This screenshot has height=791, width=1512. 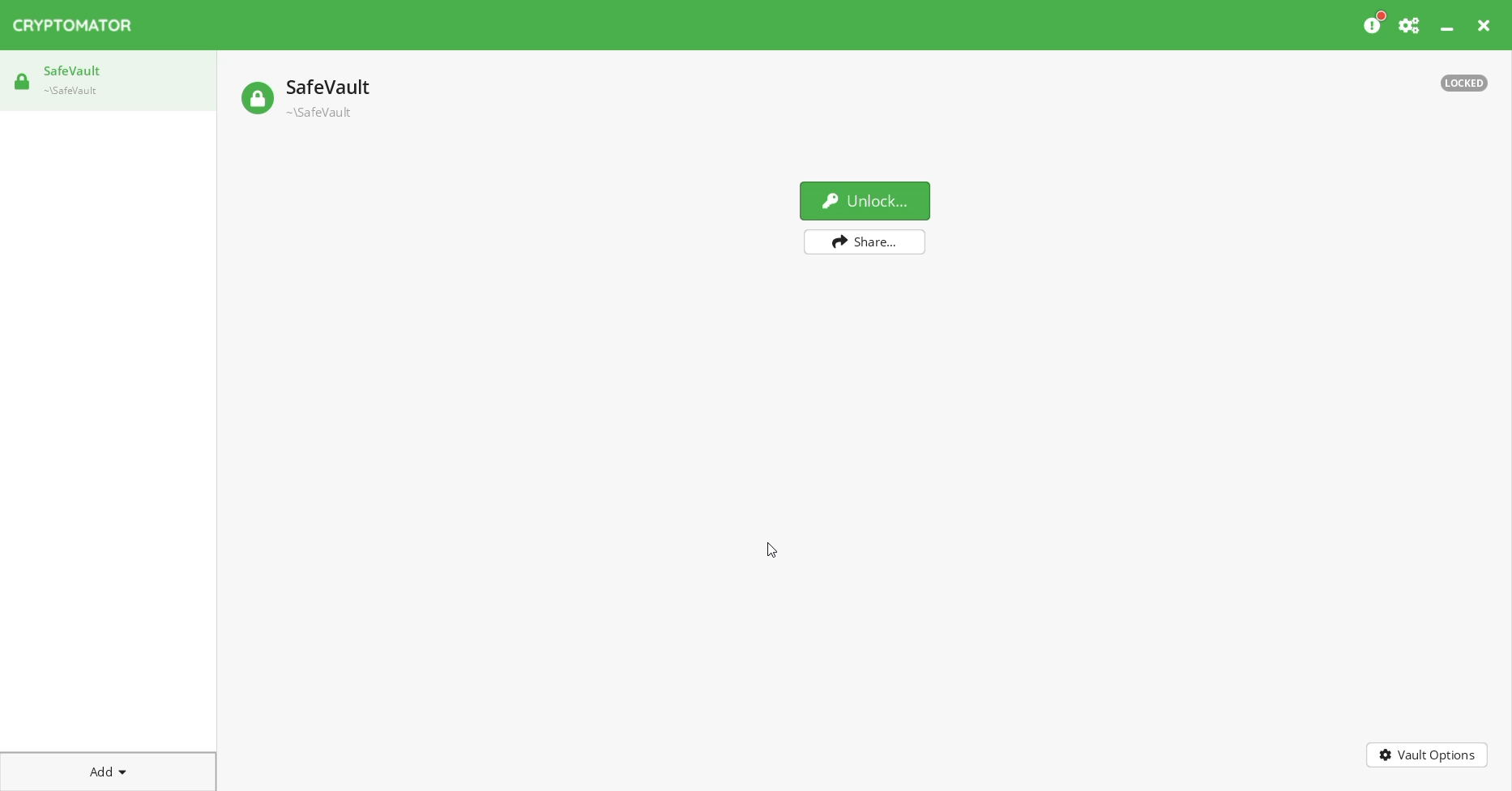 I want to click on Preferences, so click(x=1411, y=25).